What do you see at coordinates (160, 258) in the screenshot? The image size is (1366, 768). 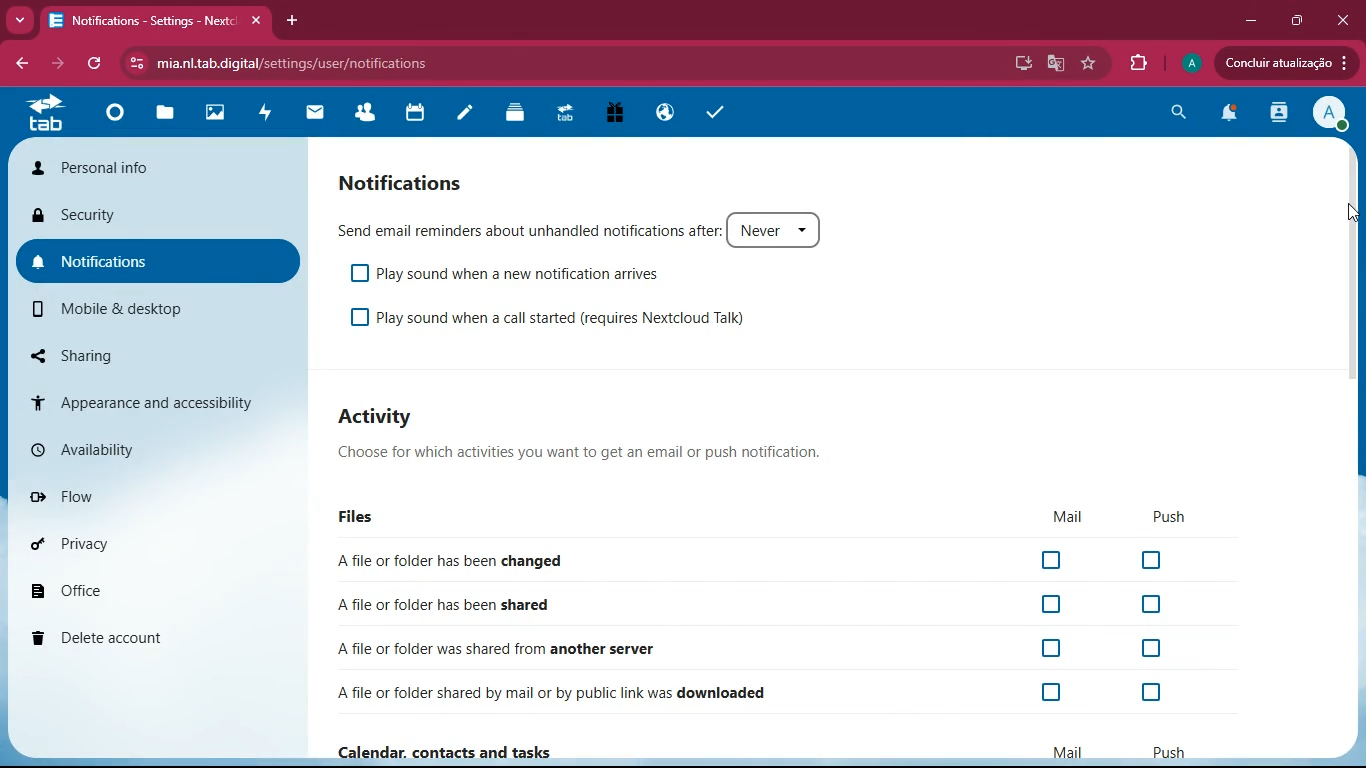 I see `notifications` at bounding box center [160, 258].